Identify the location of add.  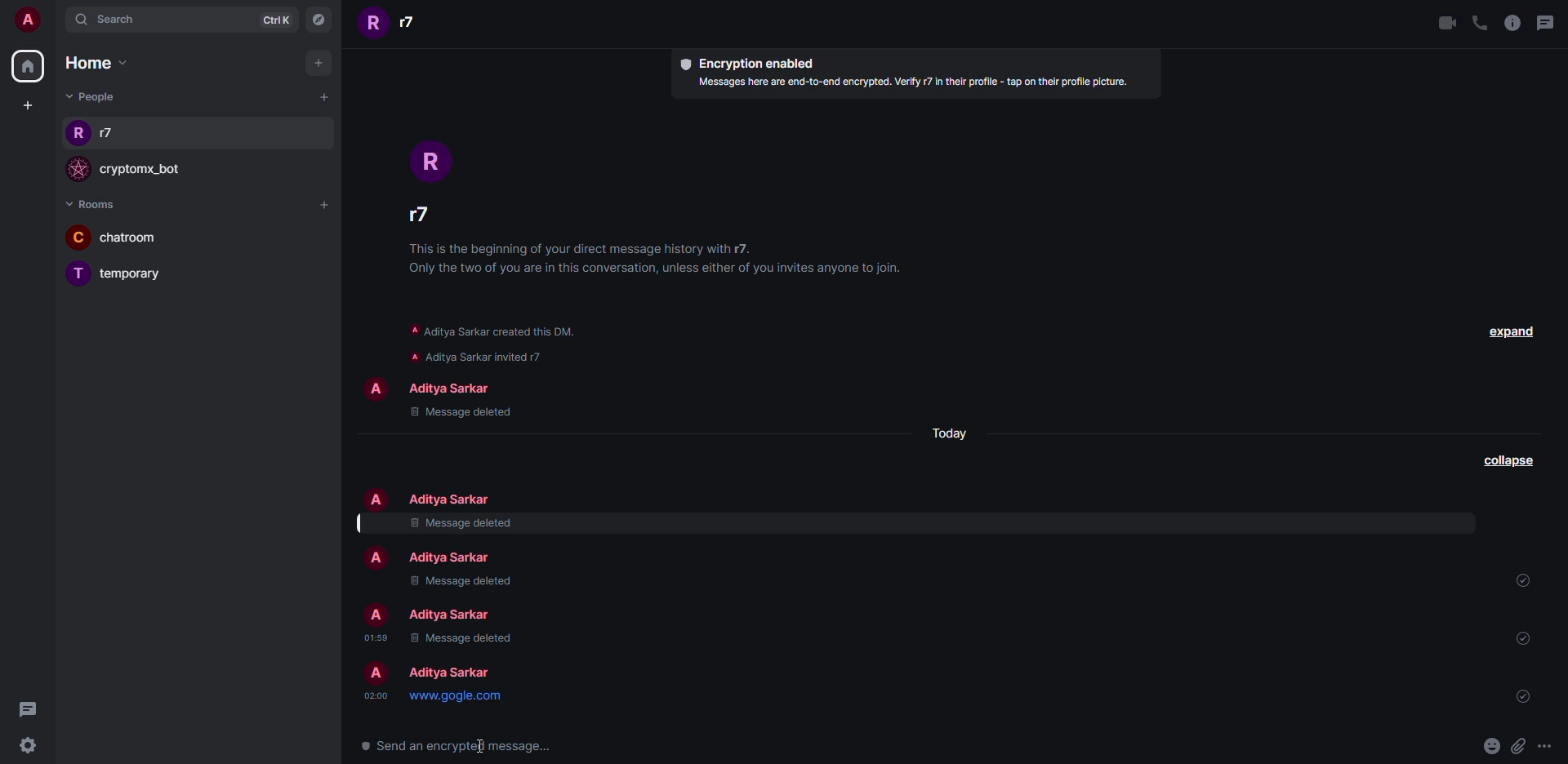
(323, 98).